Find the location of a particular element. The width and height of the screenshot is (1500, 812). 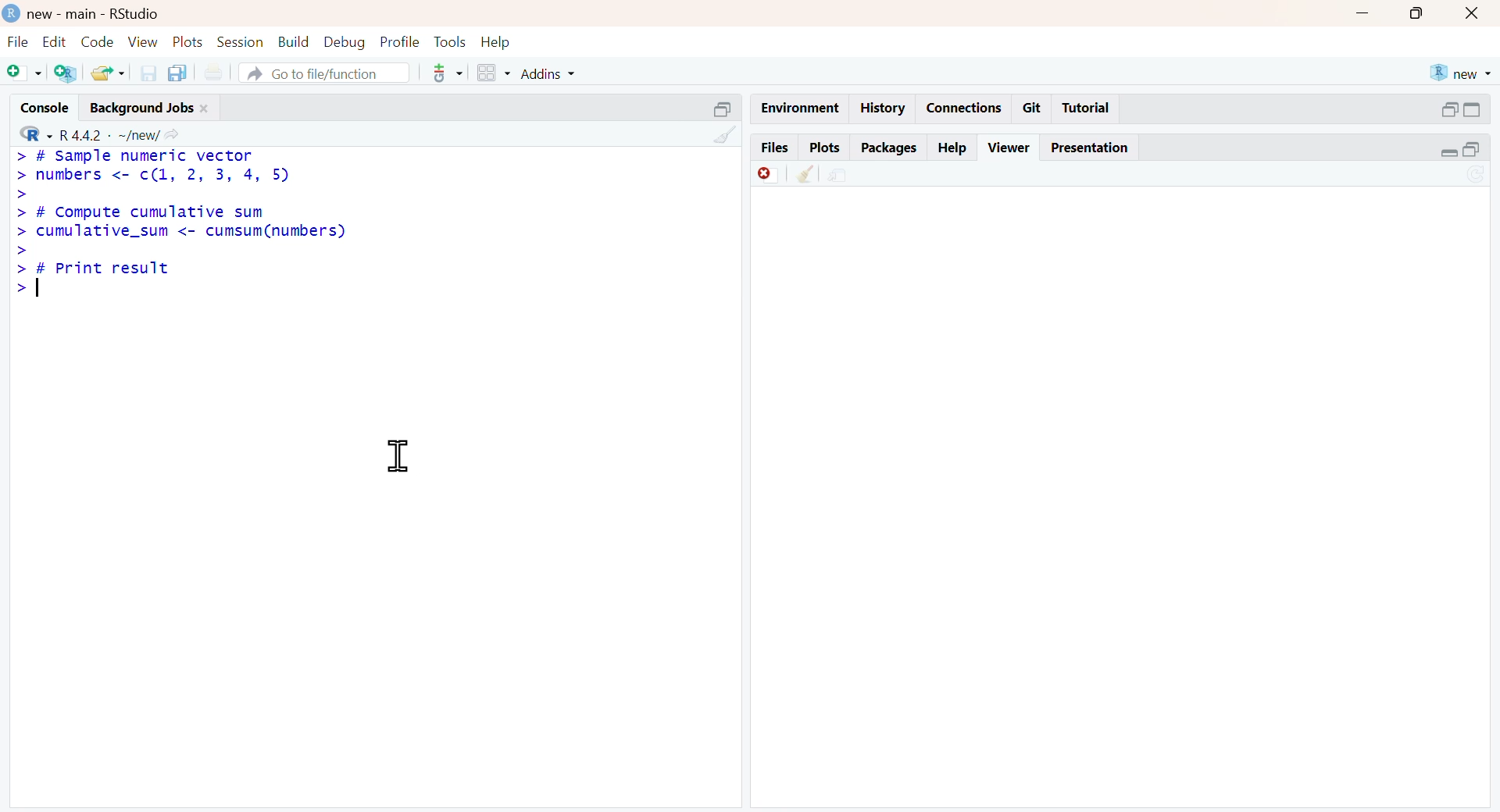

open in separate window is located at coordinates (724, 109).